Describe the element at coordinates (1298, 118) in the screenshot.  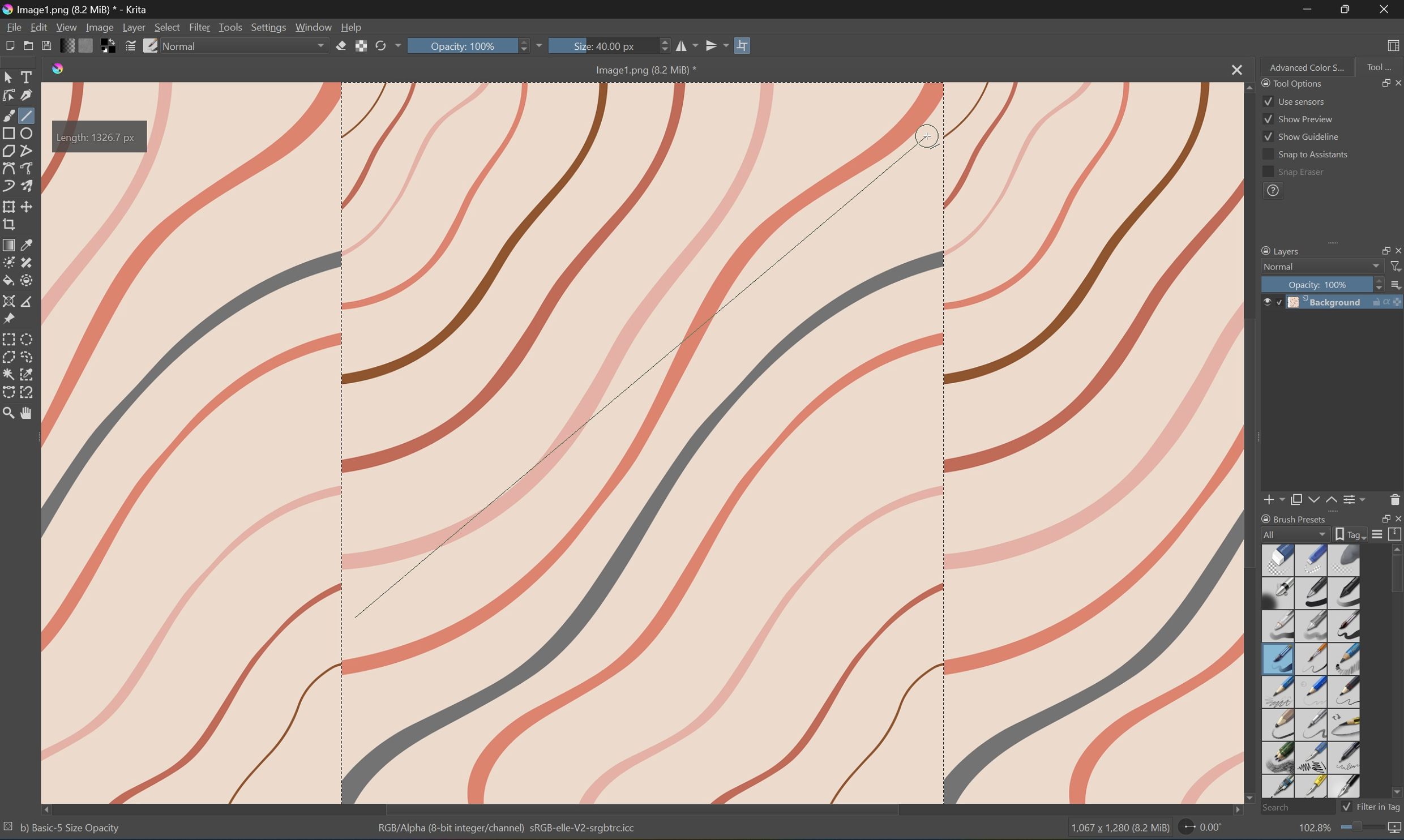
I see `Show preview` at that location.